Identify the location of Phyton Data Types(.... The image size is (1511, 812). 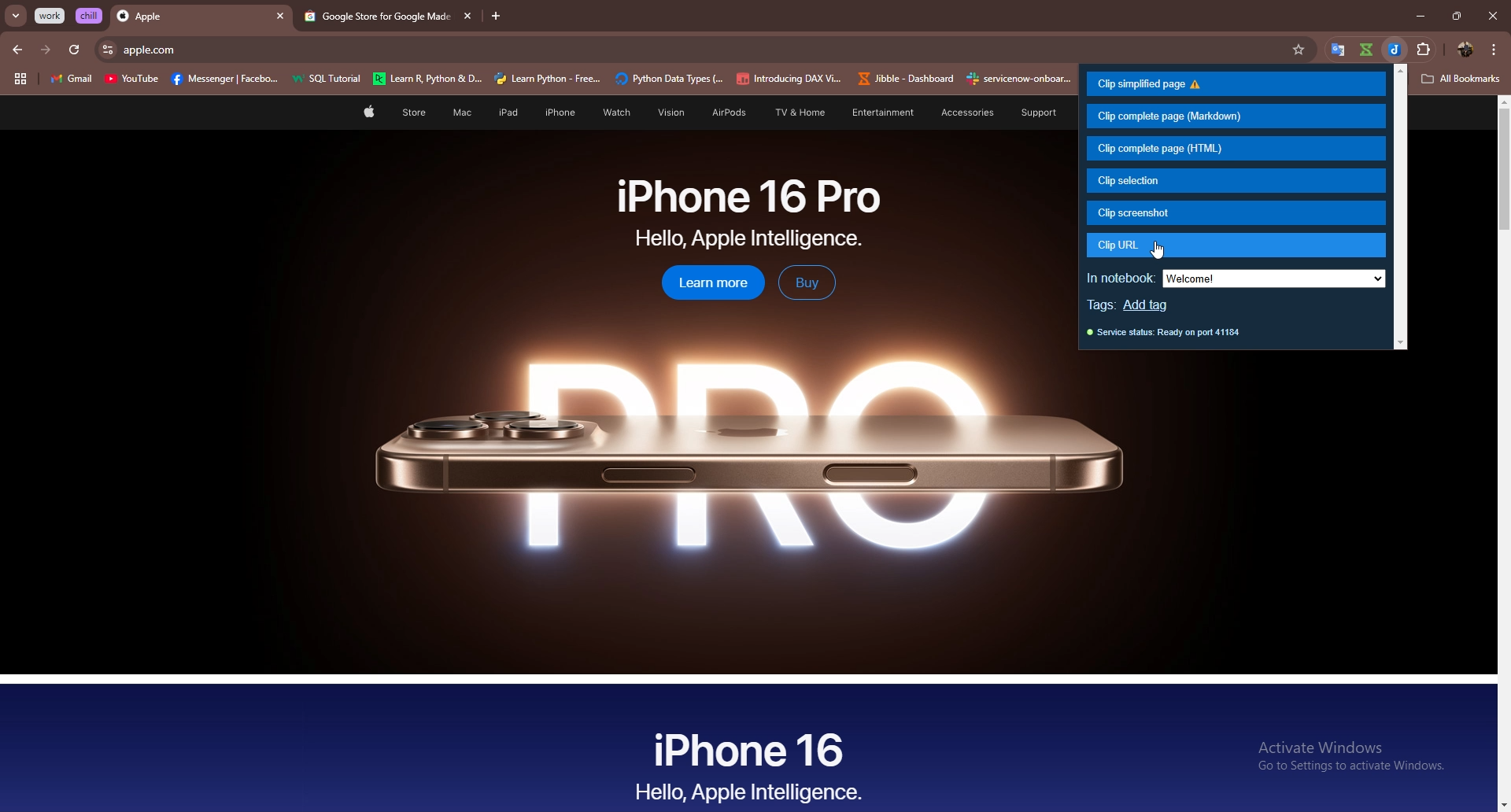
(669, 79).